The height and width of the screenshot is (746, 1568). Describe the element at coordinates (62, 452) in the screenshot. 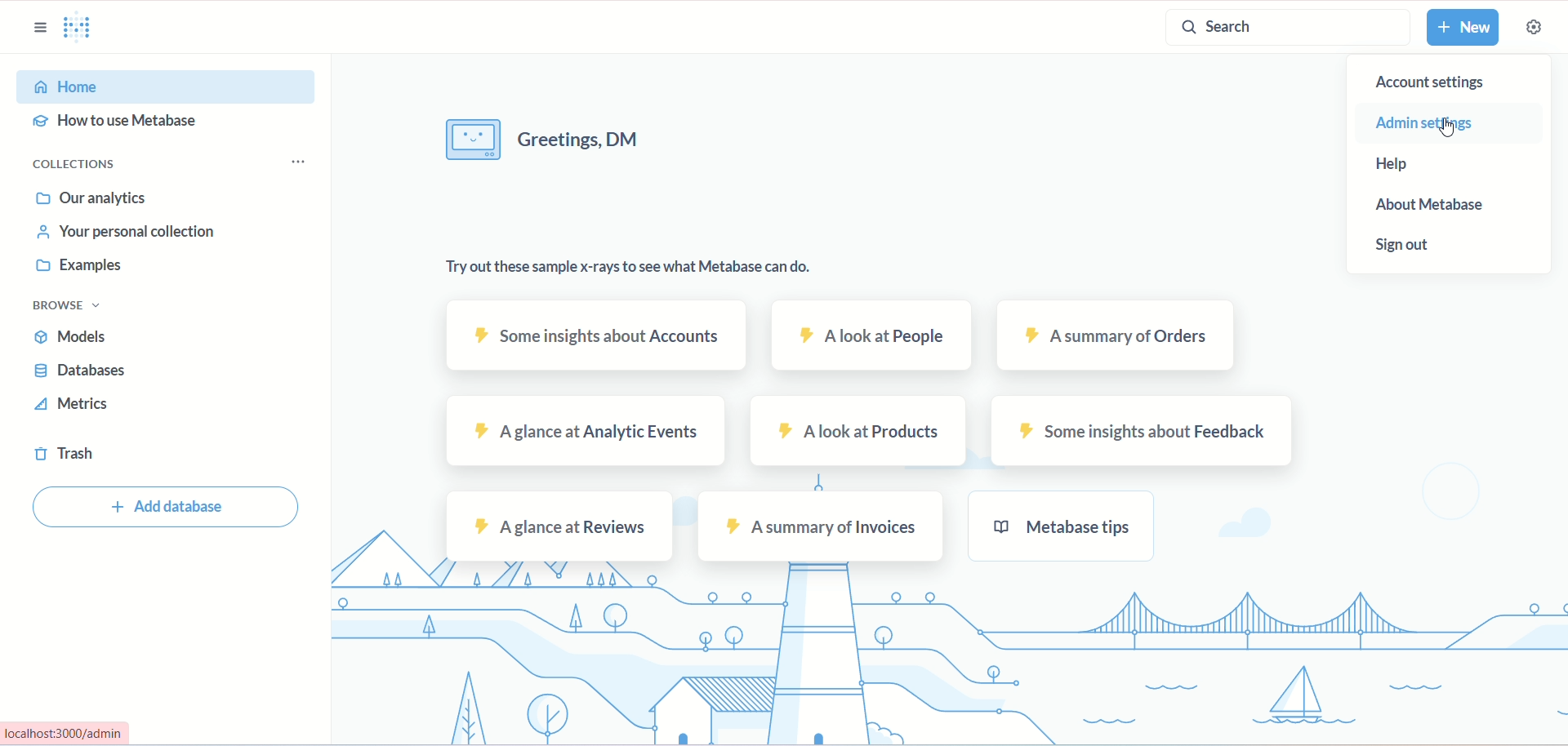

I see `trash` at that location.